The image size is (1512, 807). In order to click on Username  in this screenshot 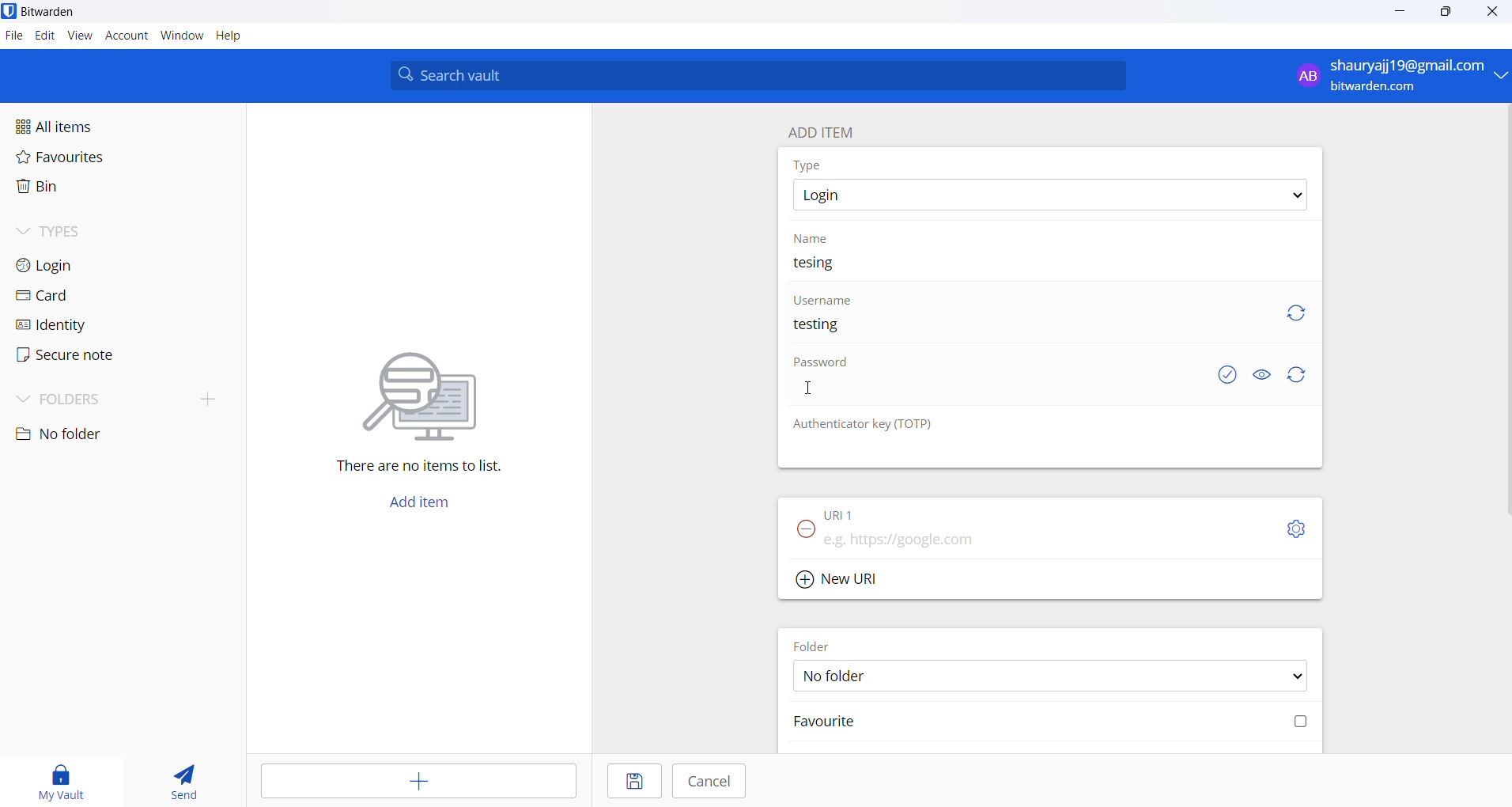, I will do `click(825, 300)`.